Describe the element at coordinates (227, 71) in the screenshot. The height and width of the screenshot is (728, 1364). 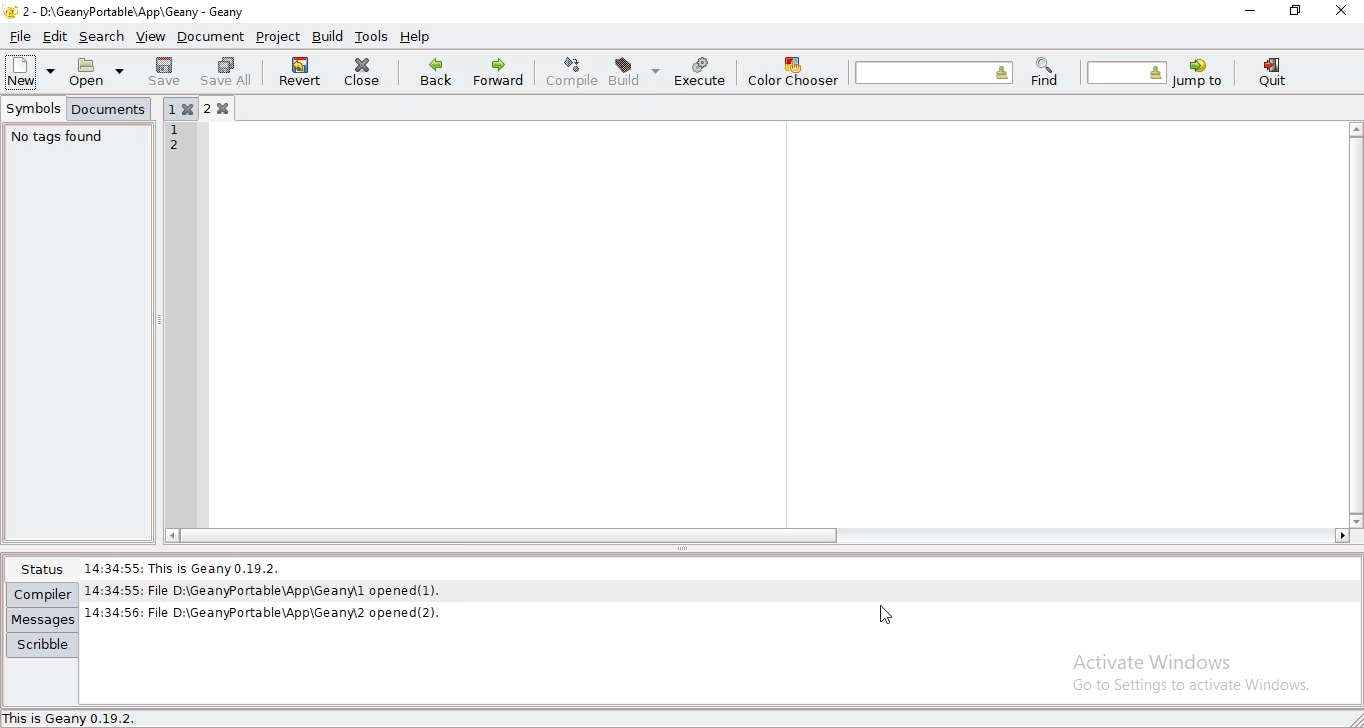
I see `save all` at that location.